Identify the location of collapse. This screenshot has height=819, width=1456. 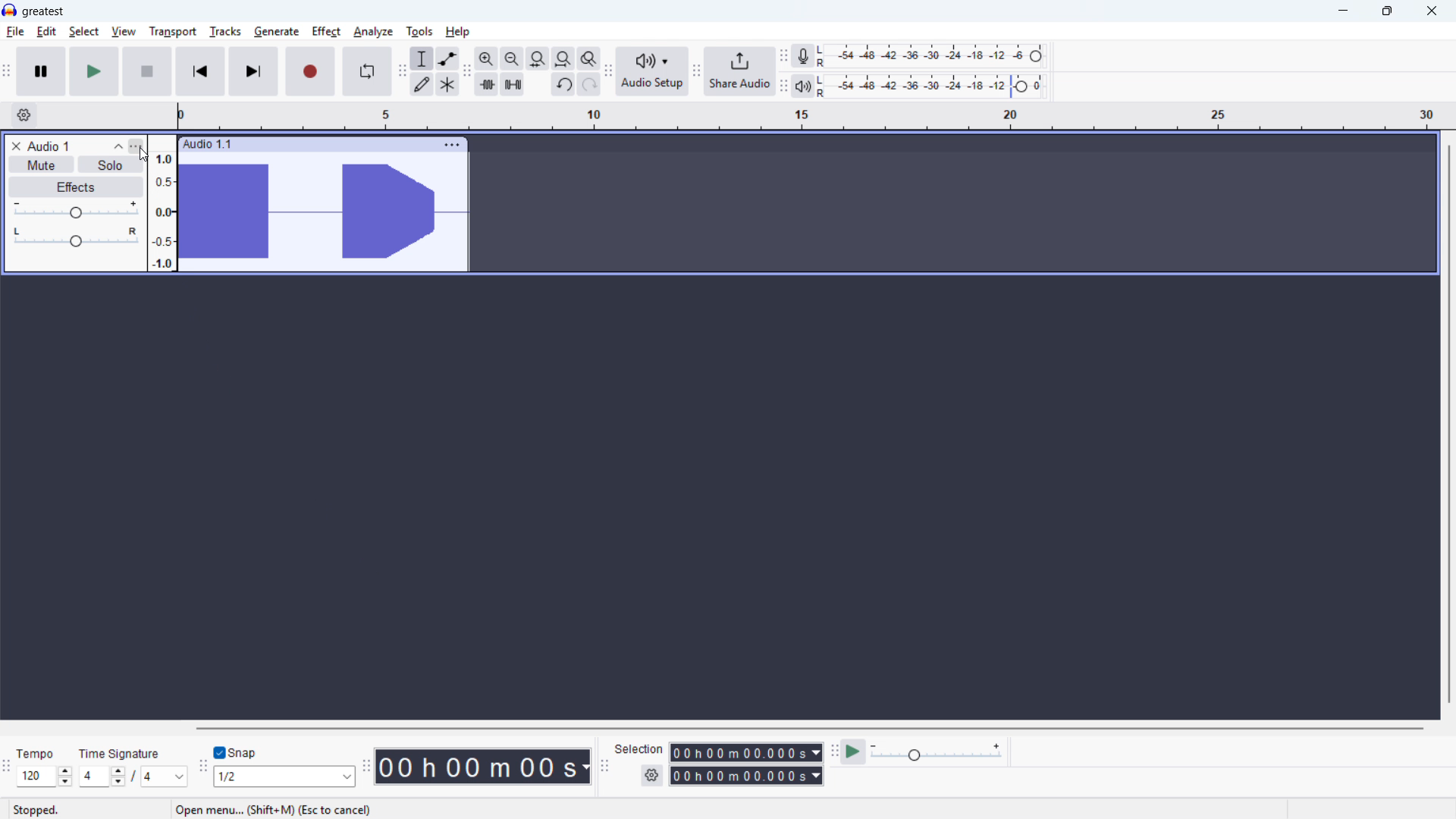
(118, 146).